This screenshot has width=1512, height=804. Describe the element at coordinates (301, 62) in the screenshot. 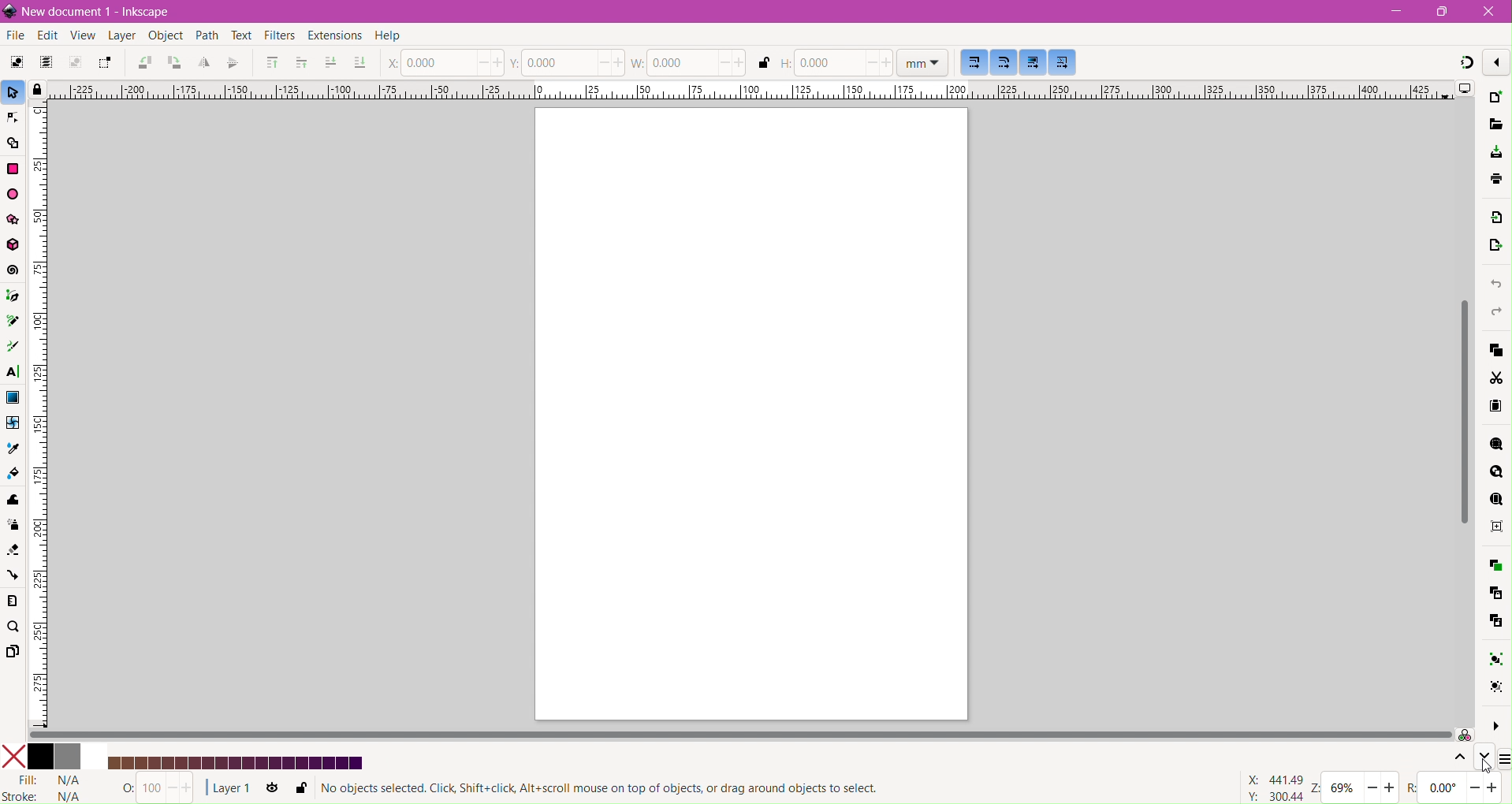

I see `Riase` at that location.